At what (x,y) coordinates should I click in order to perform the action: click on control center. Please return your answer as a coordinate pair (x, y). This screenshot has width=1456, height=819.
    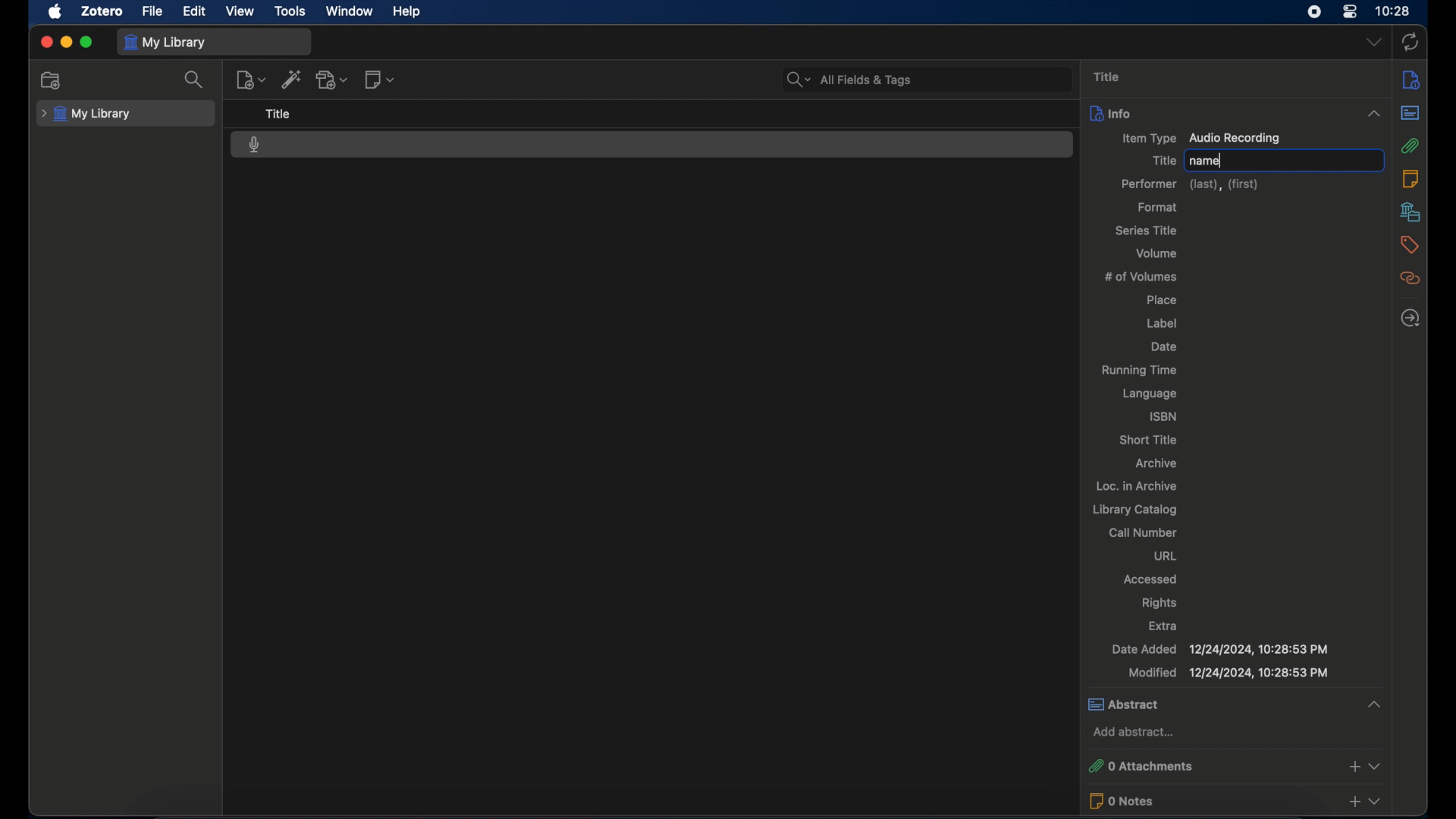
    Looking at the image, I should click on (1350, 11).